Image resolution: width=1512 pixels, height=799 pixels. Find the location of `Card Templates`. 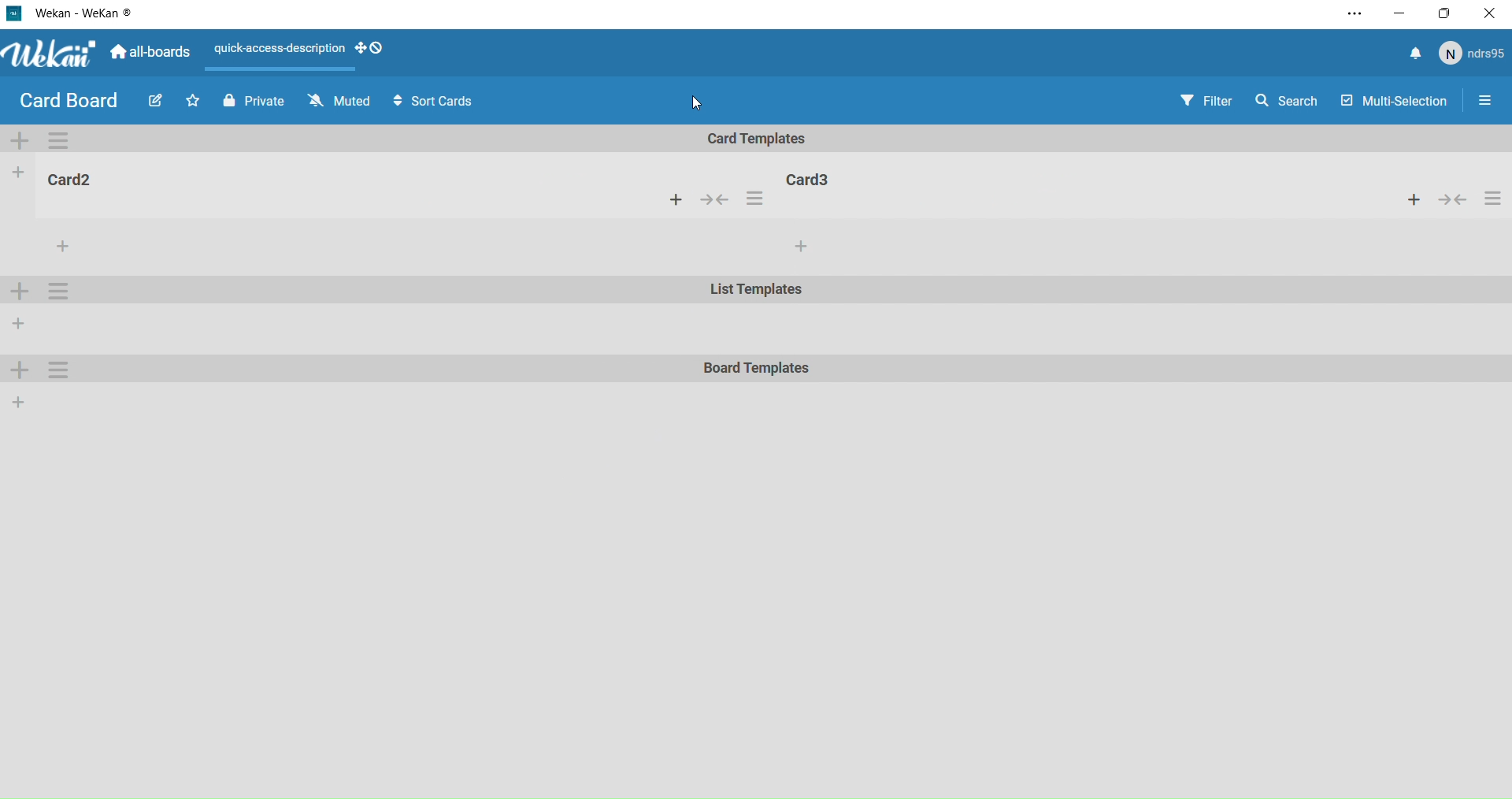

Card Templates is located at coordinates (759, 139).